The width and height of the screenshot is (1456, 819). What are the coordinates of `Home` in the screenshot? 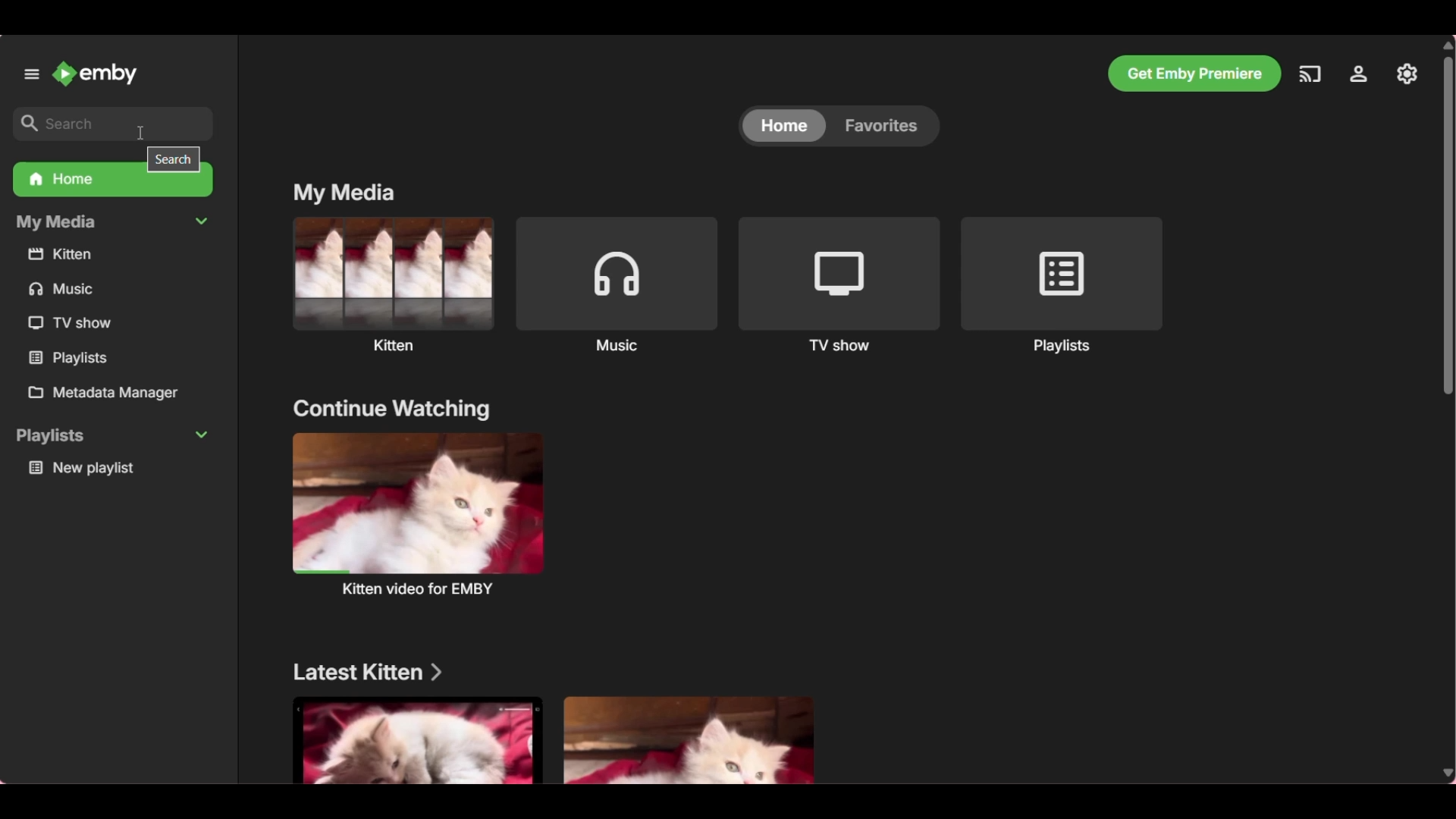 It's located at (113, 186).